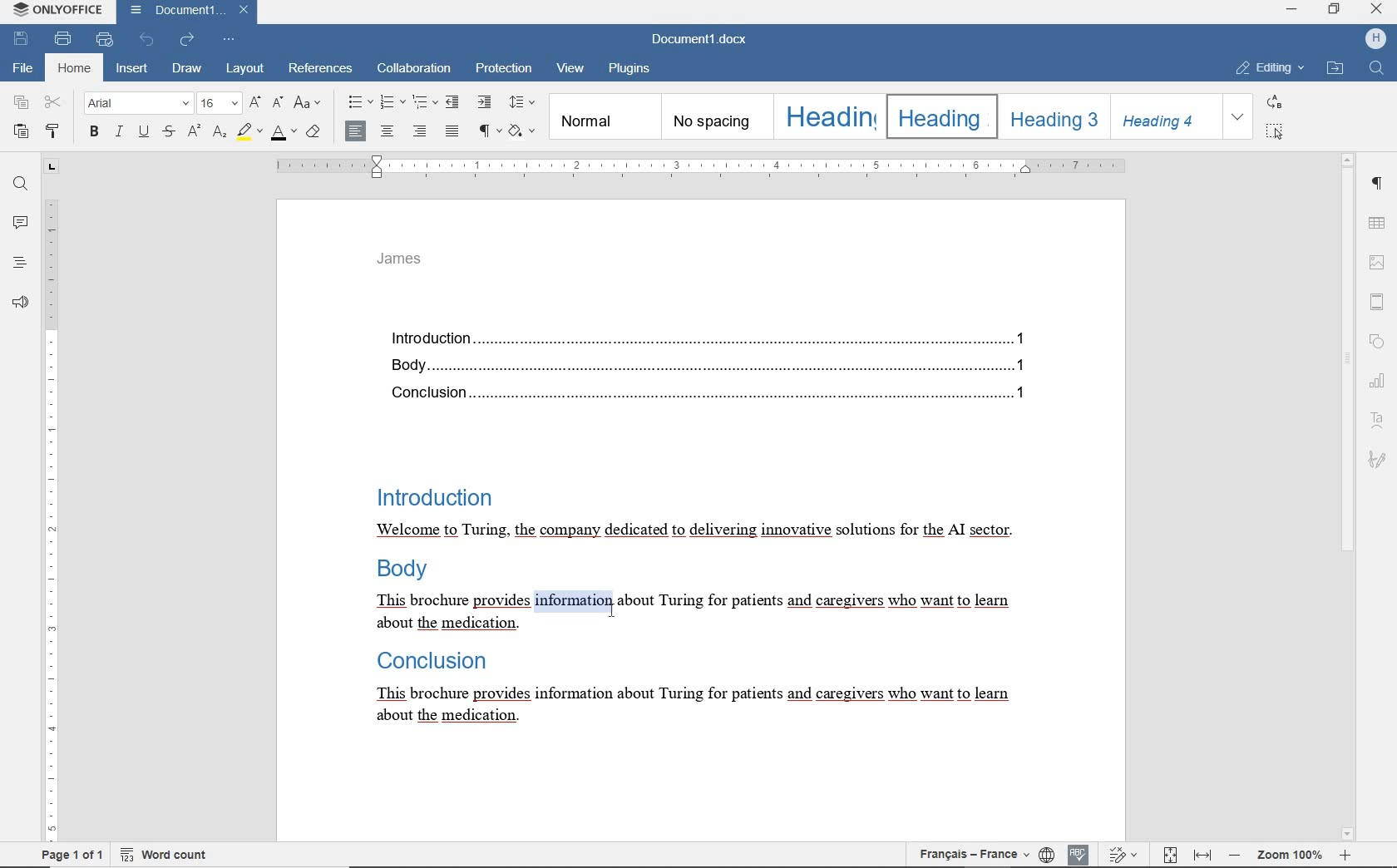 Image resolution: width=1397 pixels, height=868 pixels. What do you see at coordinates (251, 131) in the screenshot?
I see `HIGHLIGHT COLOR` at bounding box center [251, 131].